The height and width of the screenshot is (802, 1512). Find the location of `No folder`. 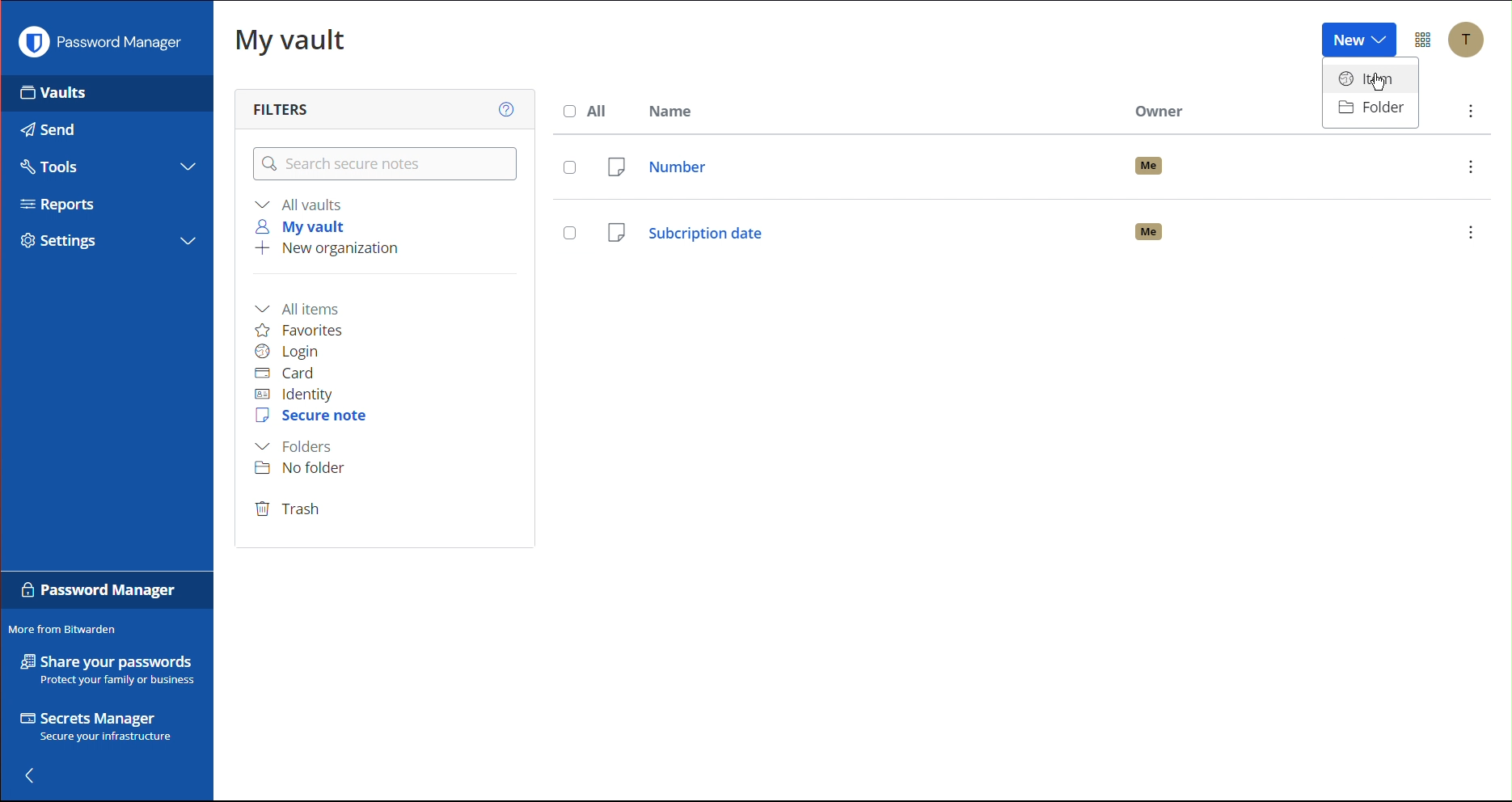

No folder is located at coordinates (306, 469).